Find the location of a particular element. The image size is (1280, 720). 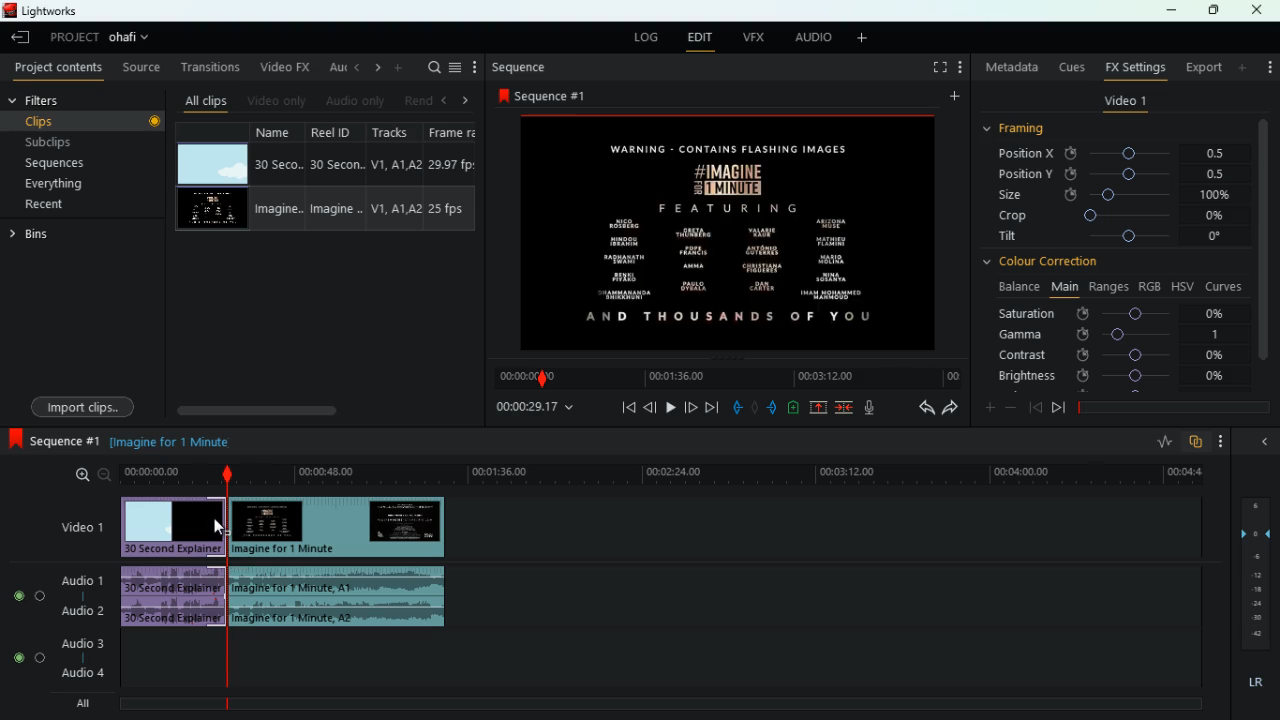

video is located at coordinates (210, 211).